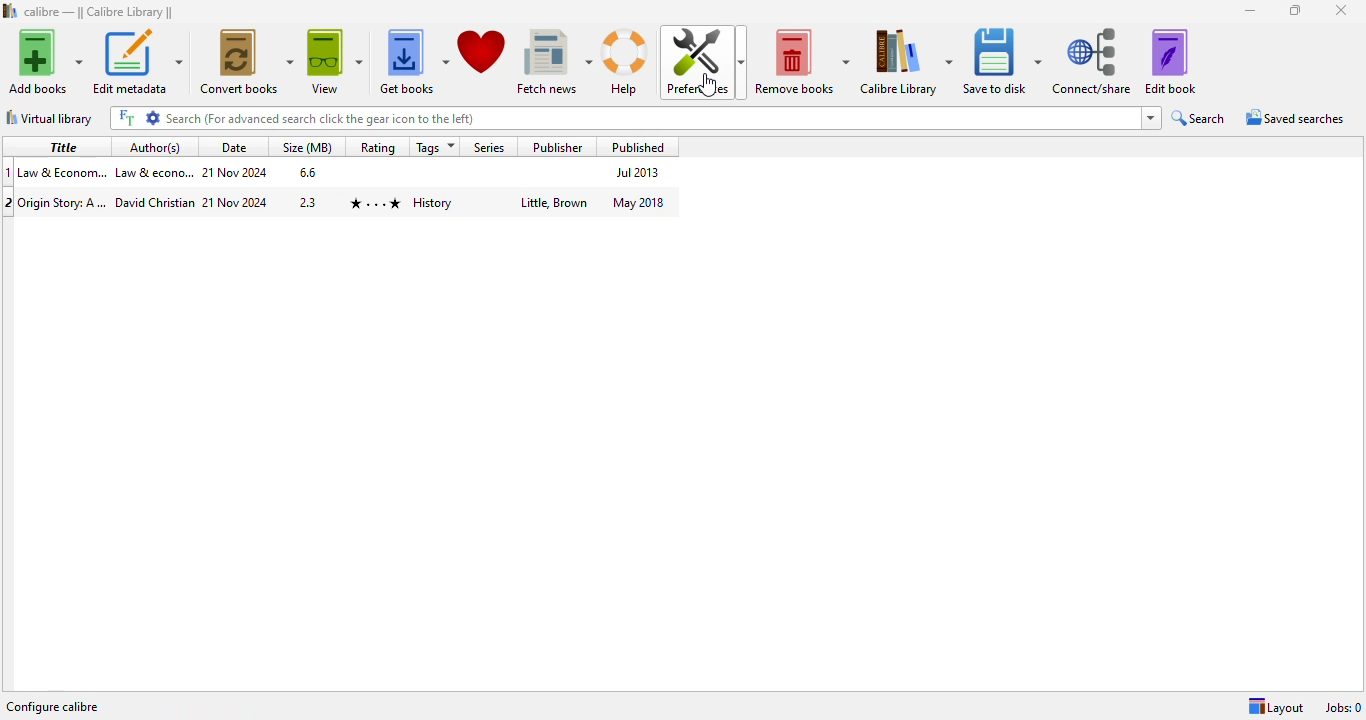 This screenshot has width=1366, height=720. Describe the element at coordinates (336, 200) in the screenshot. I see `book 2` at that location.